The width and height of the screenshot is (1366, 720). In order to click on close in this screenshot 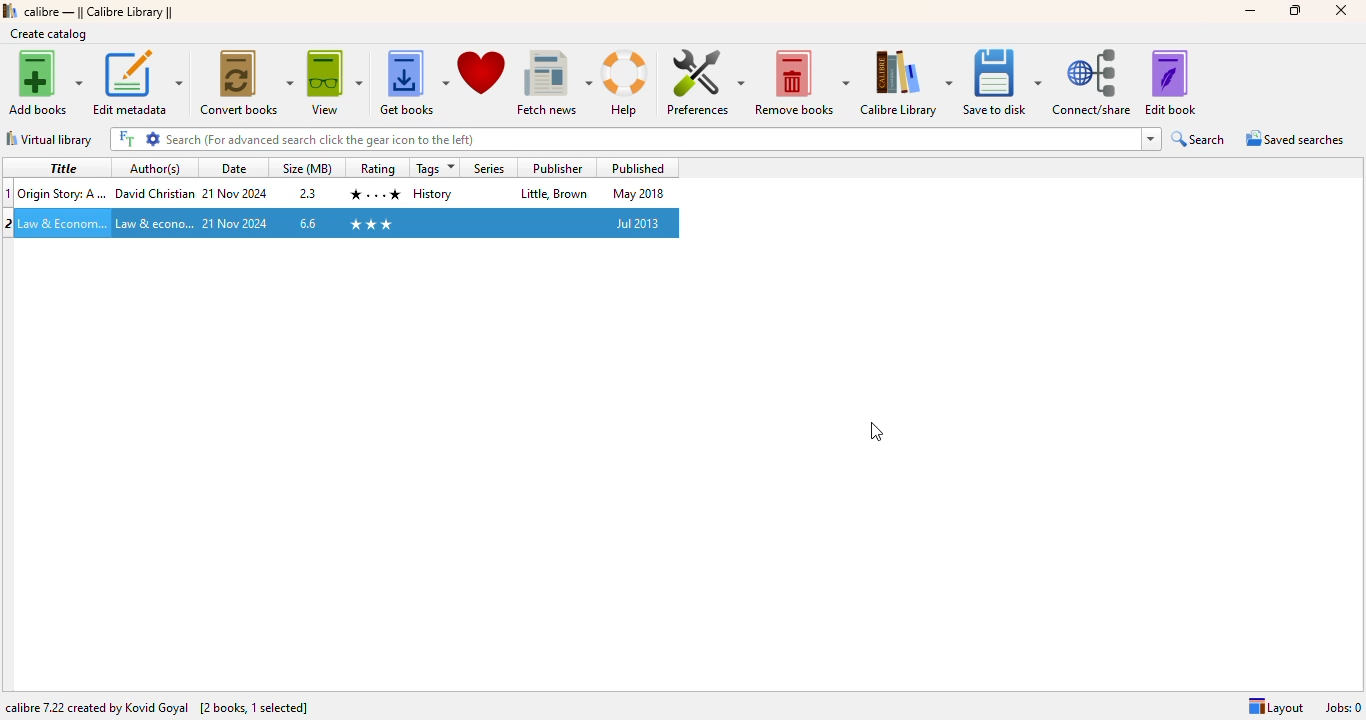, I will do `click(1342, 11)`.